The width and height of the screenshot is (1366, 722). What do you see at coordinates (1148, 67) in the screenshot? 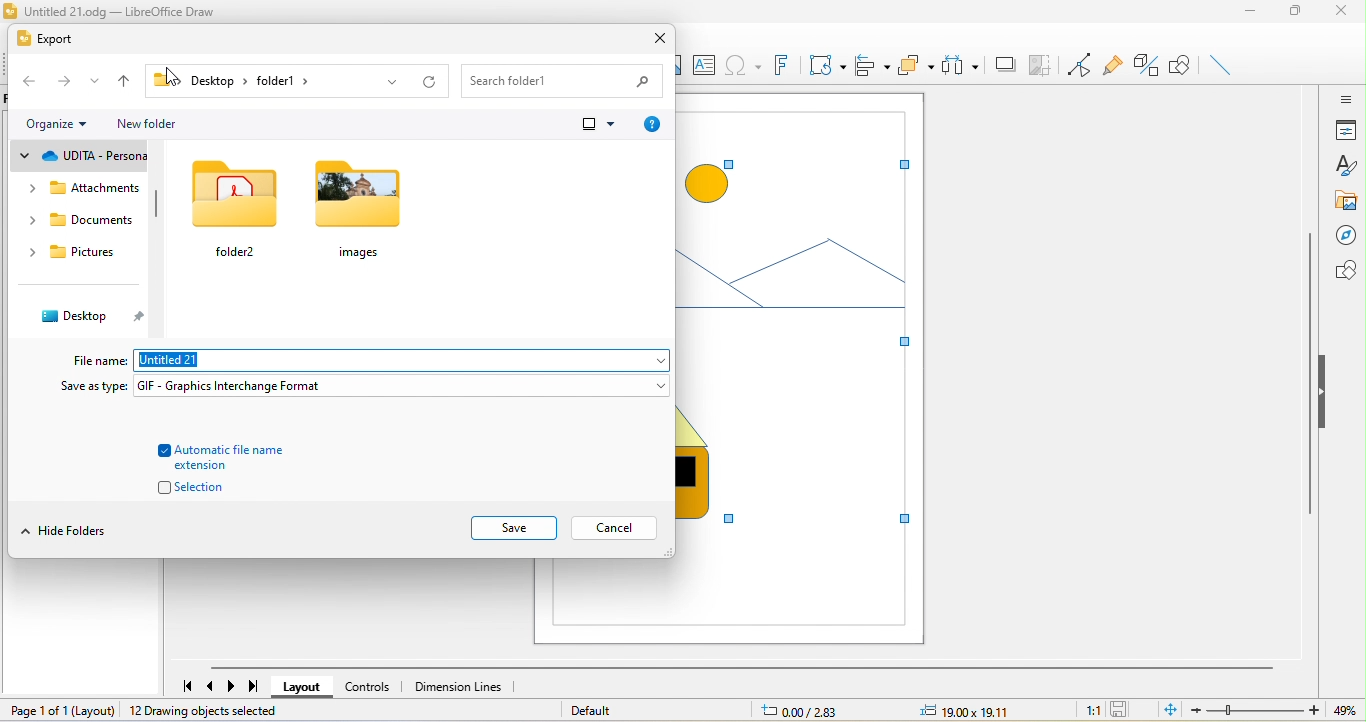
I see `toggle extrusion` at bounding box center [1148, 67].